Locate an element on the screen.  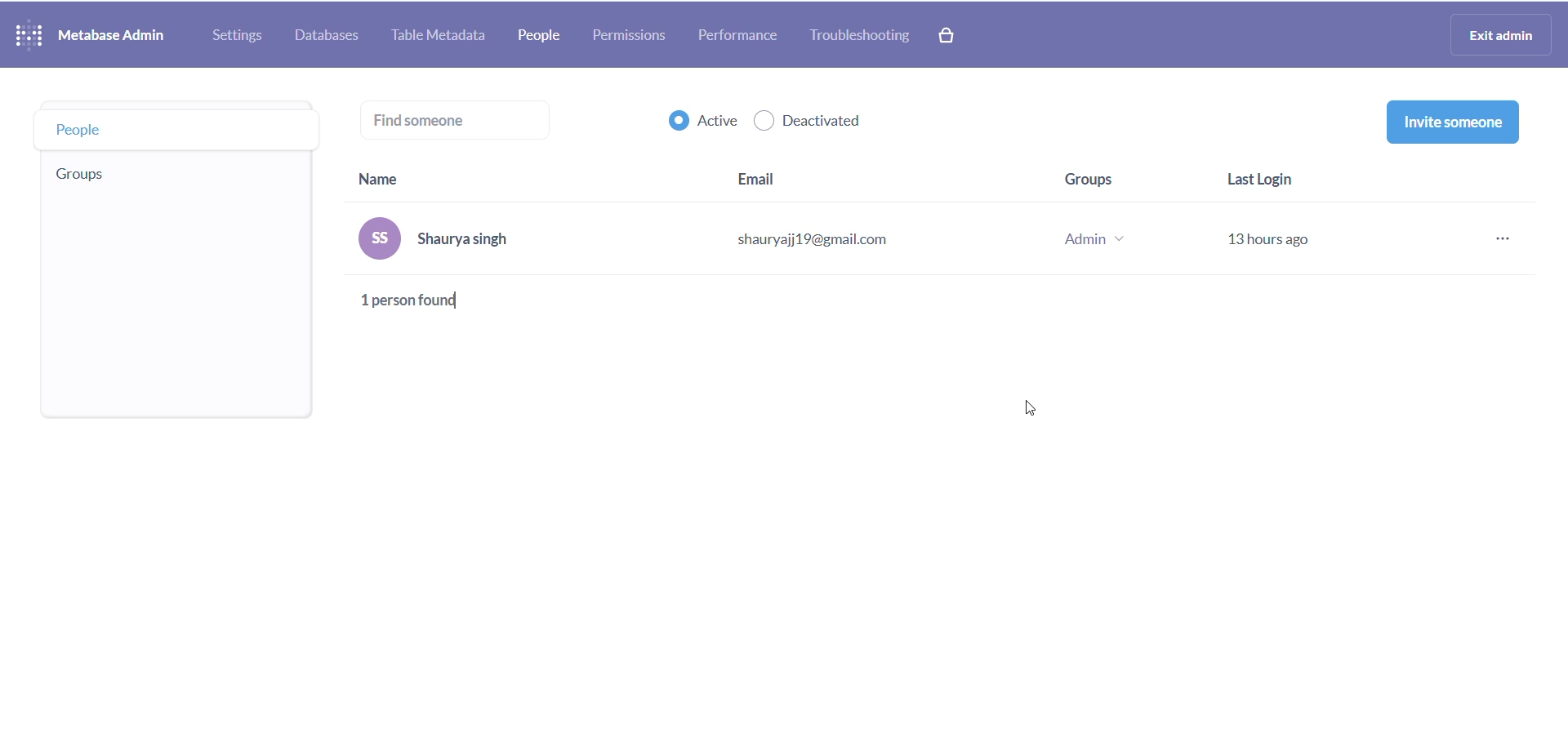
paid version is located at coordinates (949, 34).